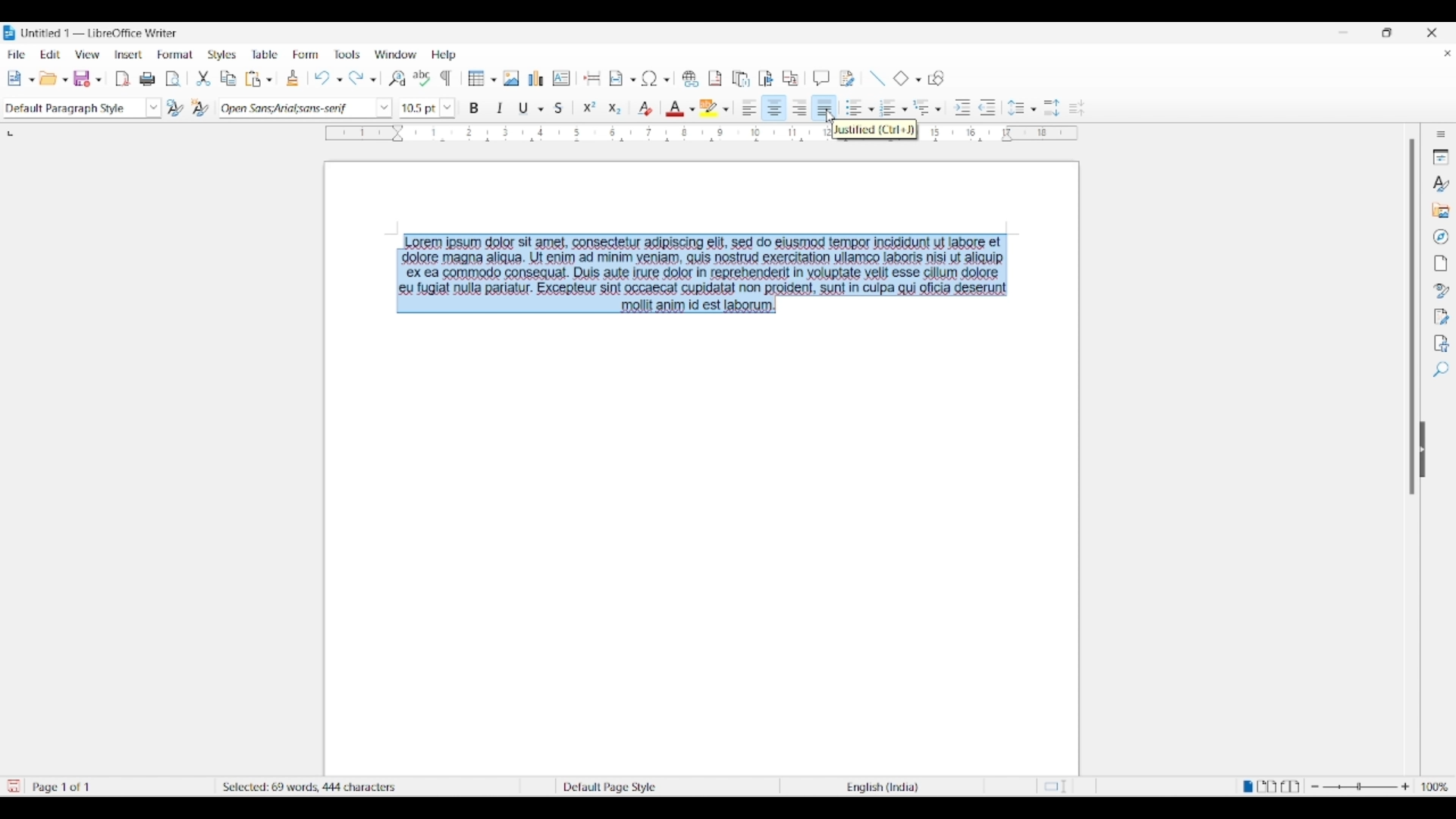  Describe the element at coordinates (1343, 33) in the screenshot. I see `Minimize` at that location.